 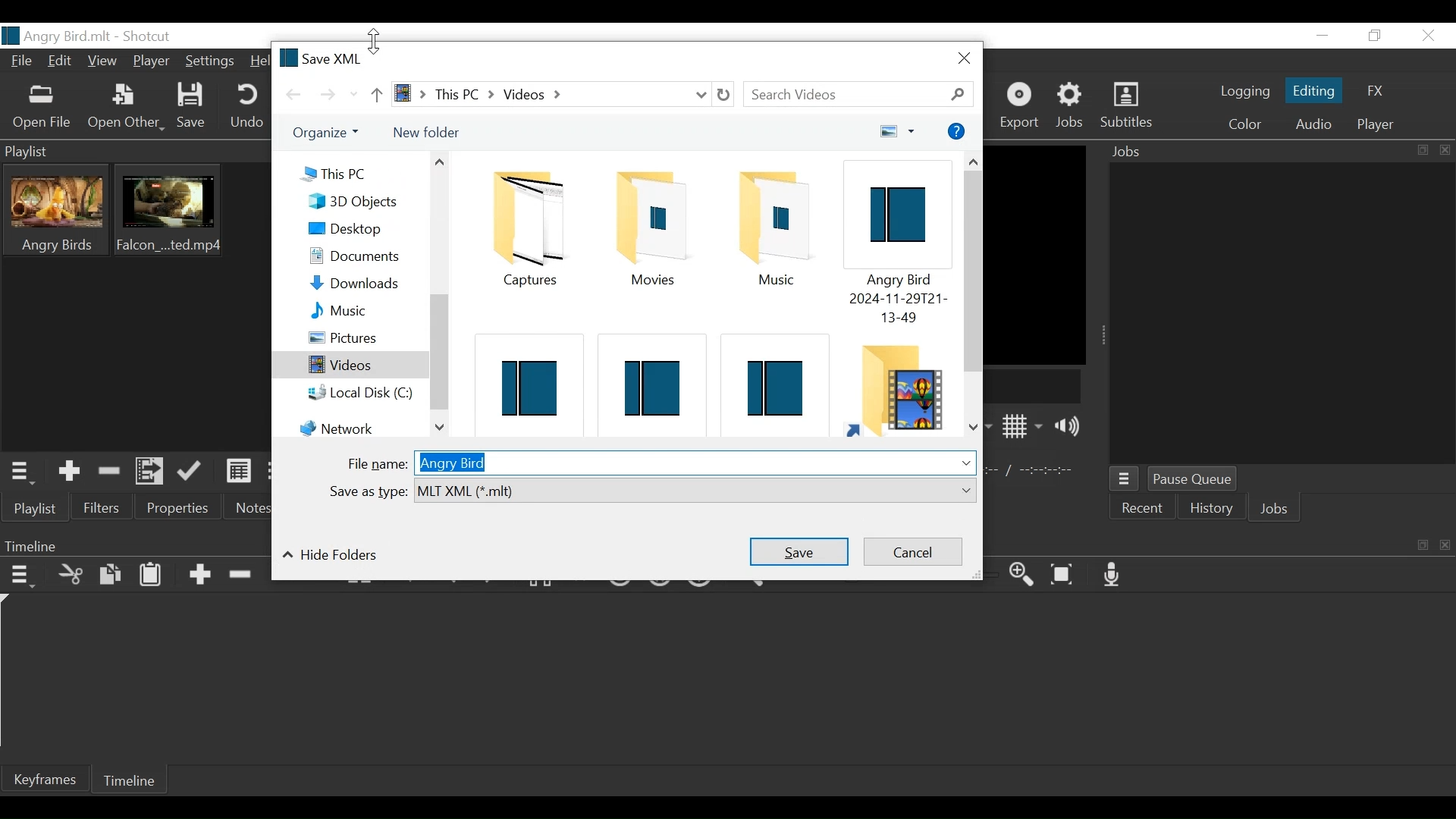 I want to click on In point, so click(x=1036, y=469).